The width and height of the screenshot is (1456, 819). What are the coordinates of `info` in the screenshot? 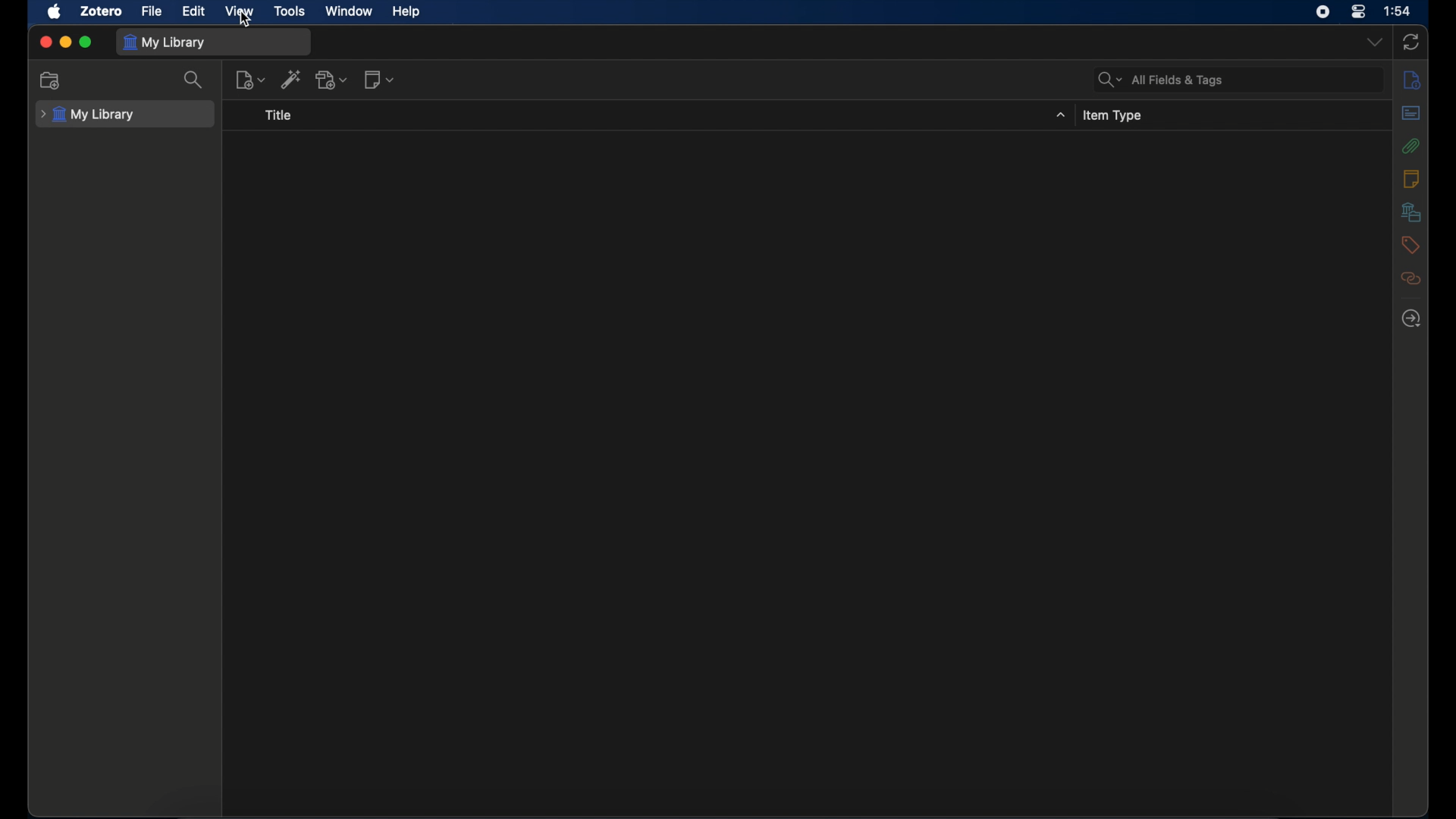 It's located at (1412, 80).